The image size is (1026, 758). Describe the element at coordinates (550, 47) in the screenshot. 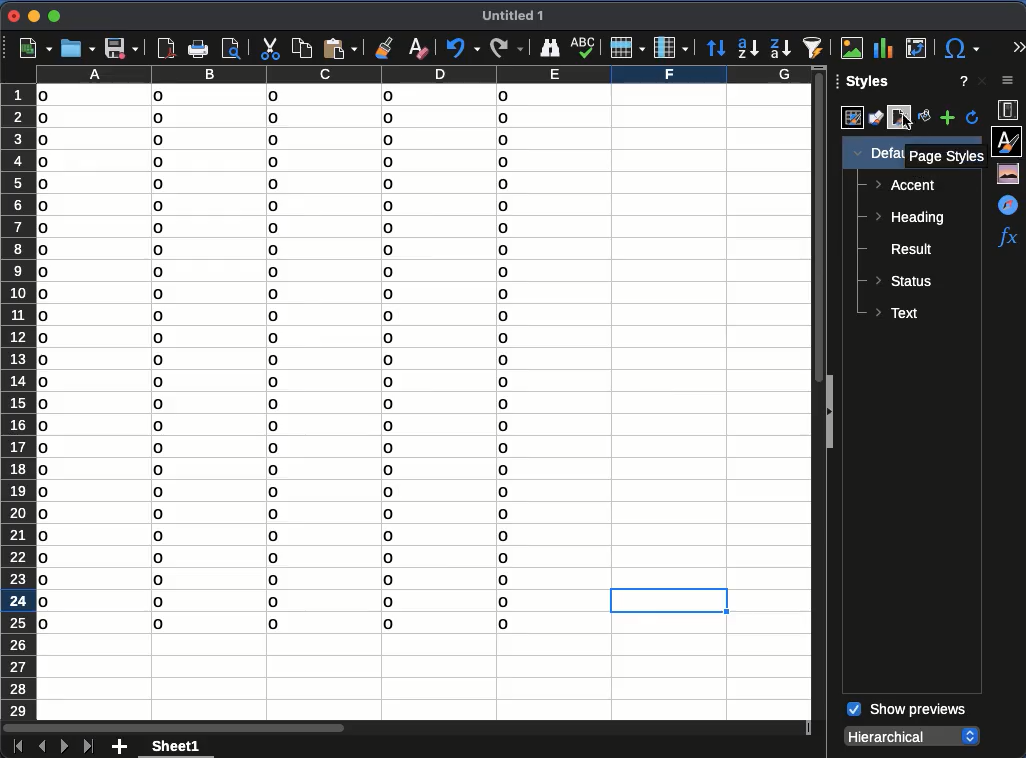

I see `finder` at that location.